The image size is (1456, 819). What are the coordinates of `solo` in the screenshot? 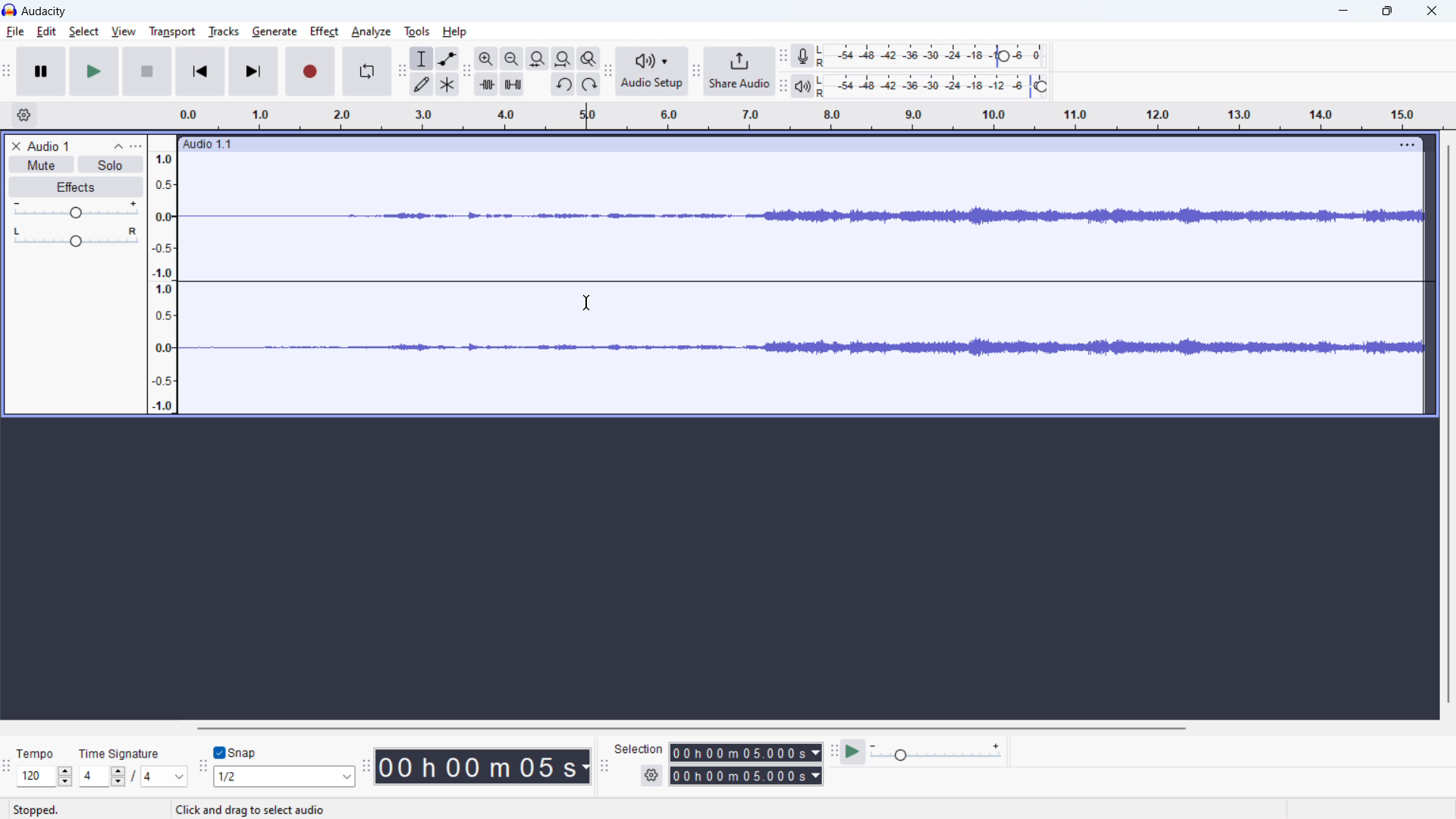 It's located at (110, 165).